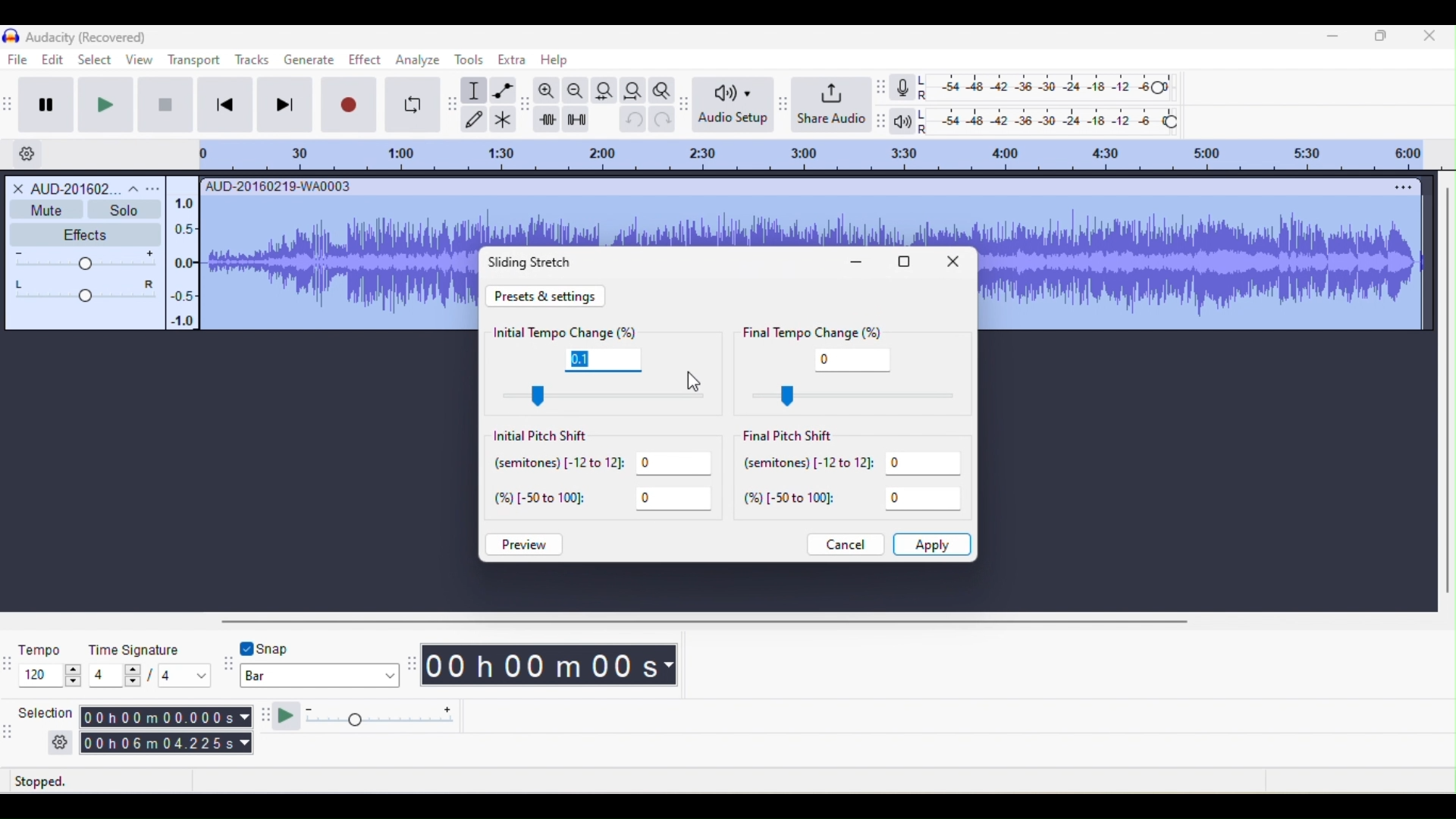 This screenshot has width=1456, height=819. What do you see at coordinates (453, 102) in the screenshot?
I see `audacity tools toolbar` at bounding box center [453, 102].